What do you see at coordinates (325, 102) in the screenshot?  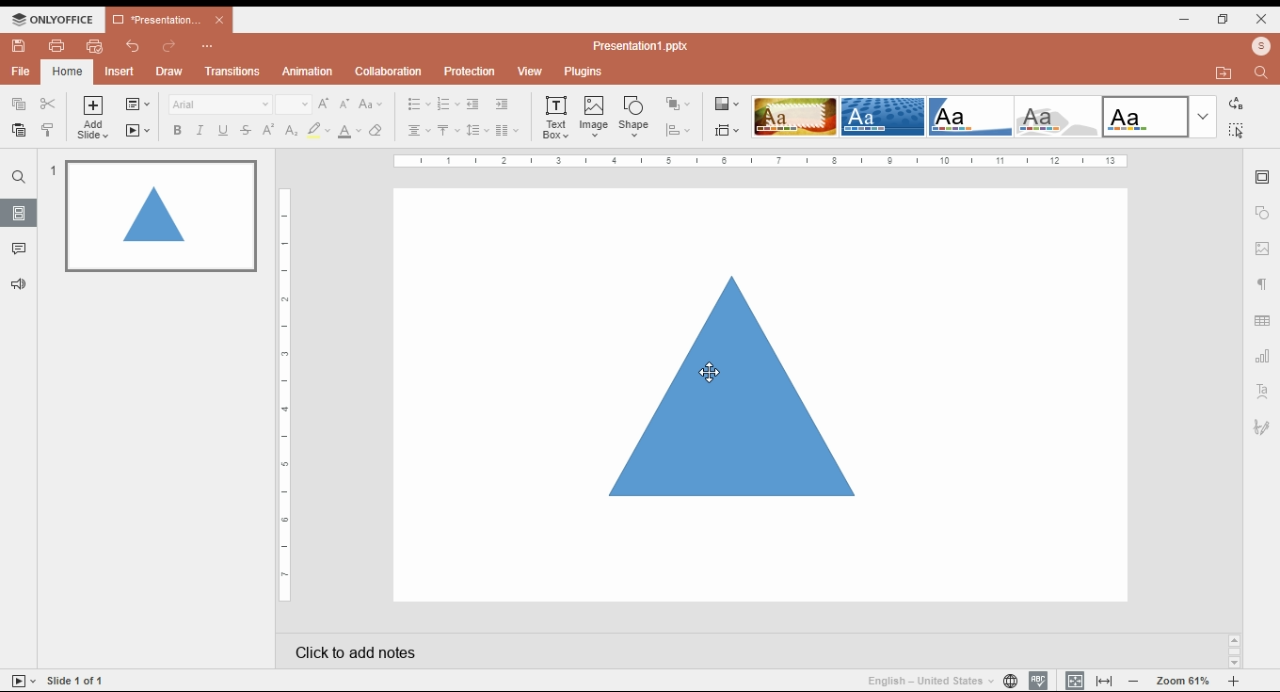 I see `increment font size` at bounding box center [325, 102].